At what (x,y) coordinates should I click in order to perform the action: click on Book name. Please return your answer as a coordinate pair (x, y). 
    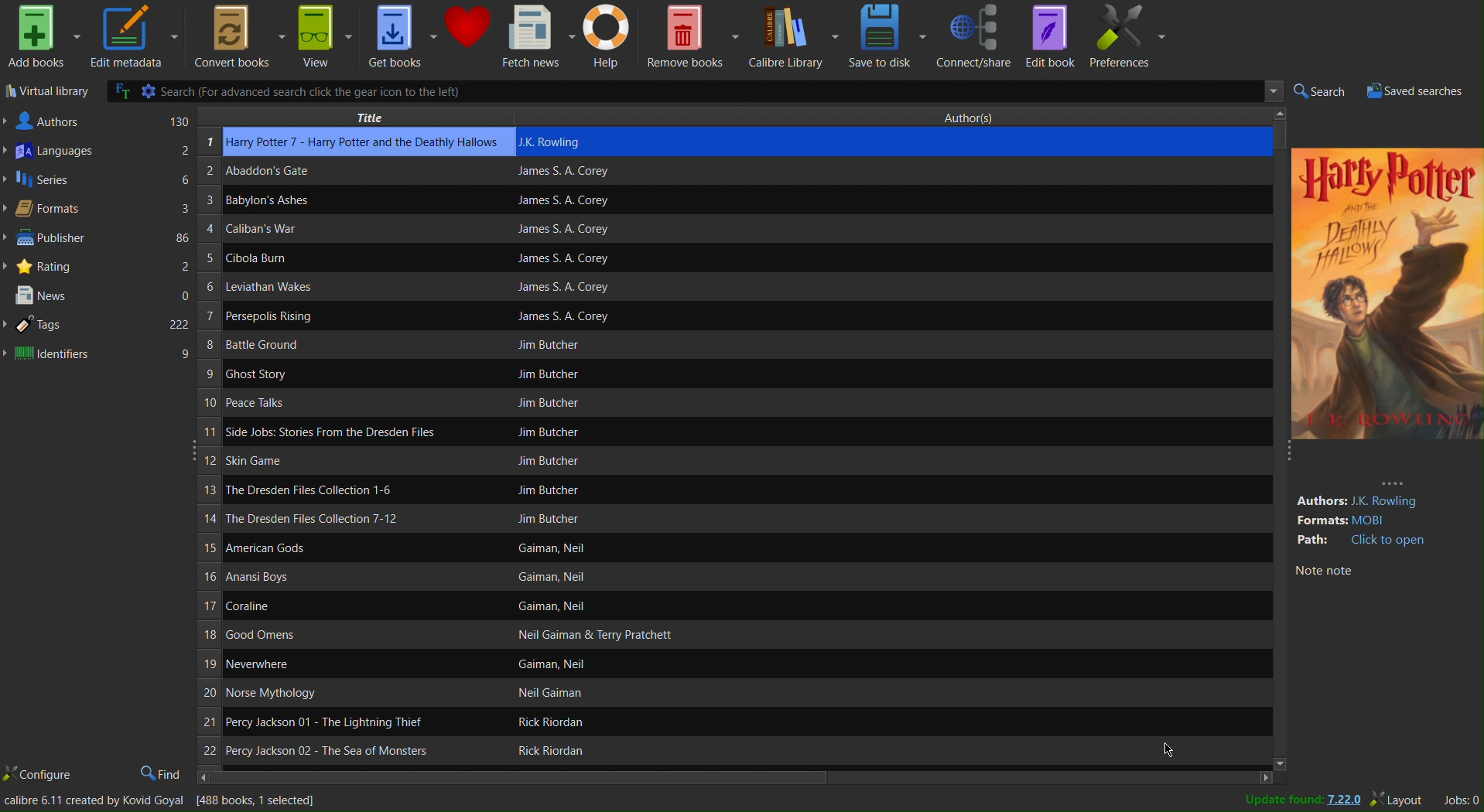
    Looking at the image, I should click on (326, 722).